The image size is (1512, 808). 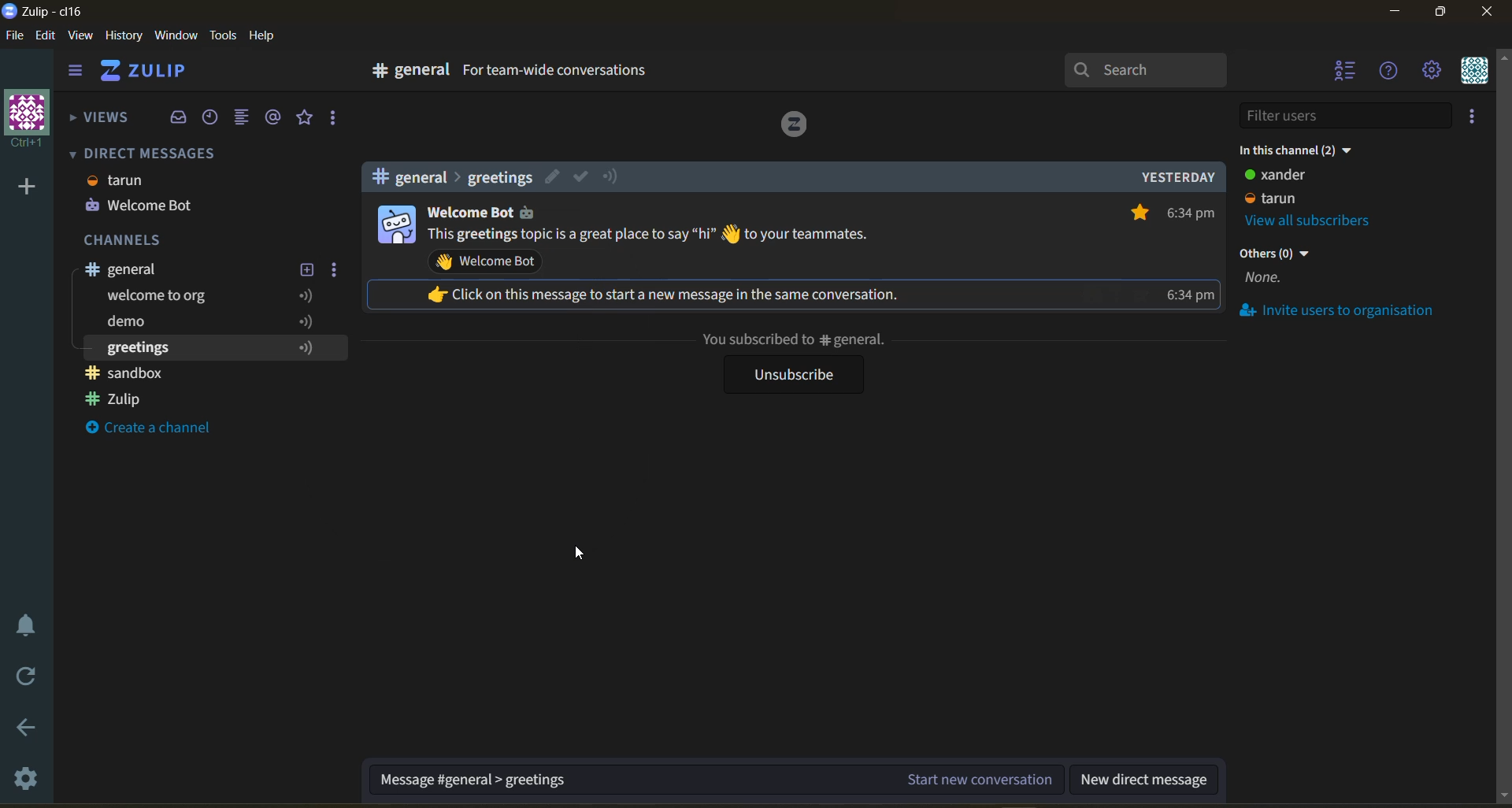 What do you see at coordinates (22, 625) in the screenshot?
I see `enable do not disturb` at bounding box center [22, 625].